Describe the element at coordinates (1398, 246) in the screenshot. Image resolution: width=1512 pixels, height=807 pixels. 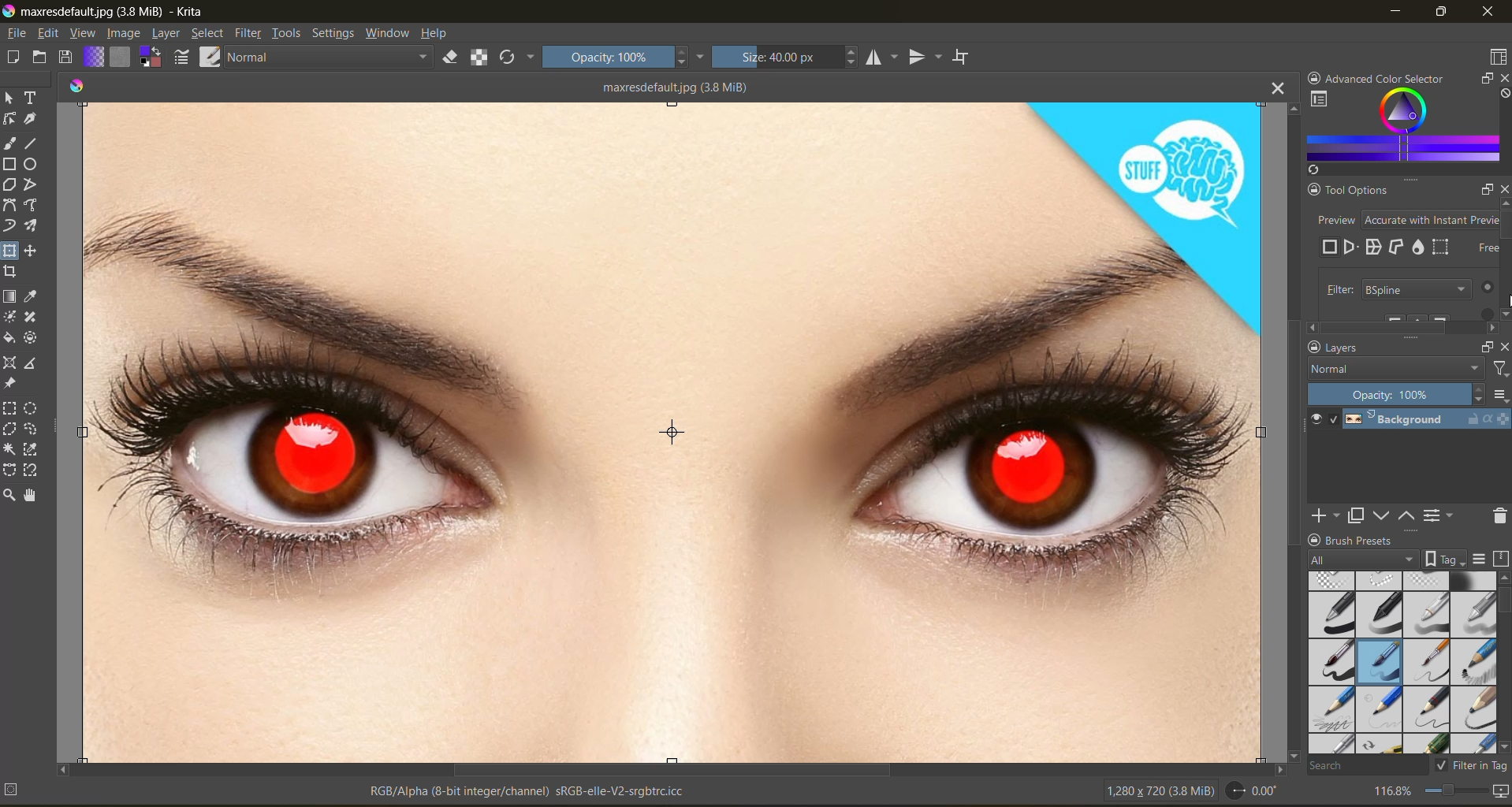
I see `cage` at that location.